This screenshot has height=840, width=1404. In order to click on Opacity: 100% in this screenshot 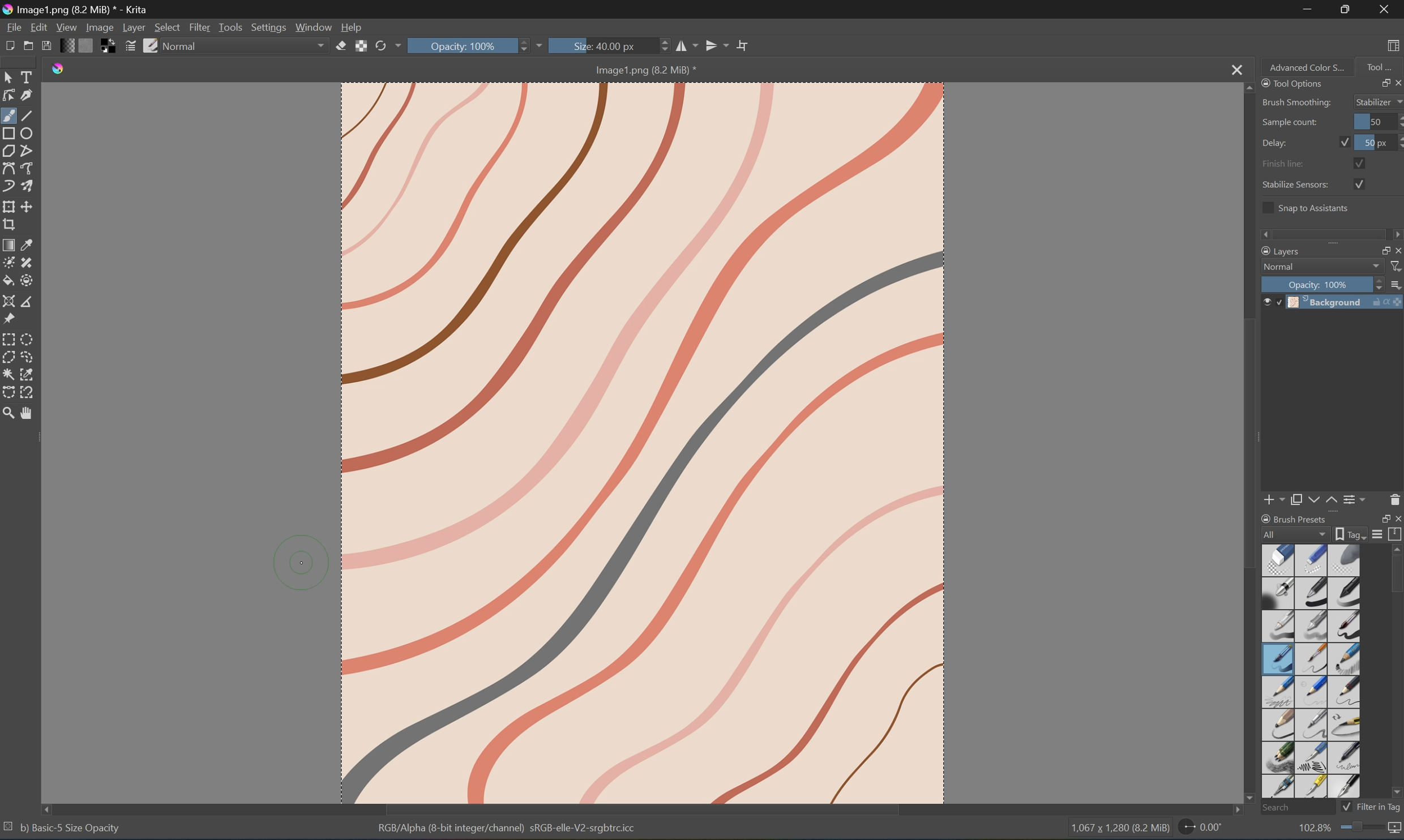, I will do `click(469, 46)`.